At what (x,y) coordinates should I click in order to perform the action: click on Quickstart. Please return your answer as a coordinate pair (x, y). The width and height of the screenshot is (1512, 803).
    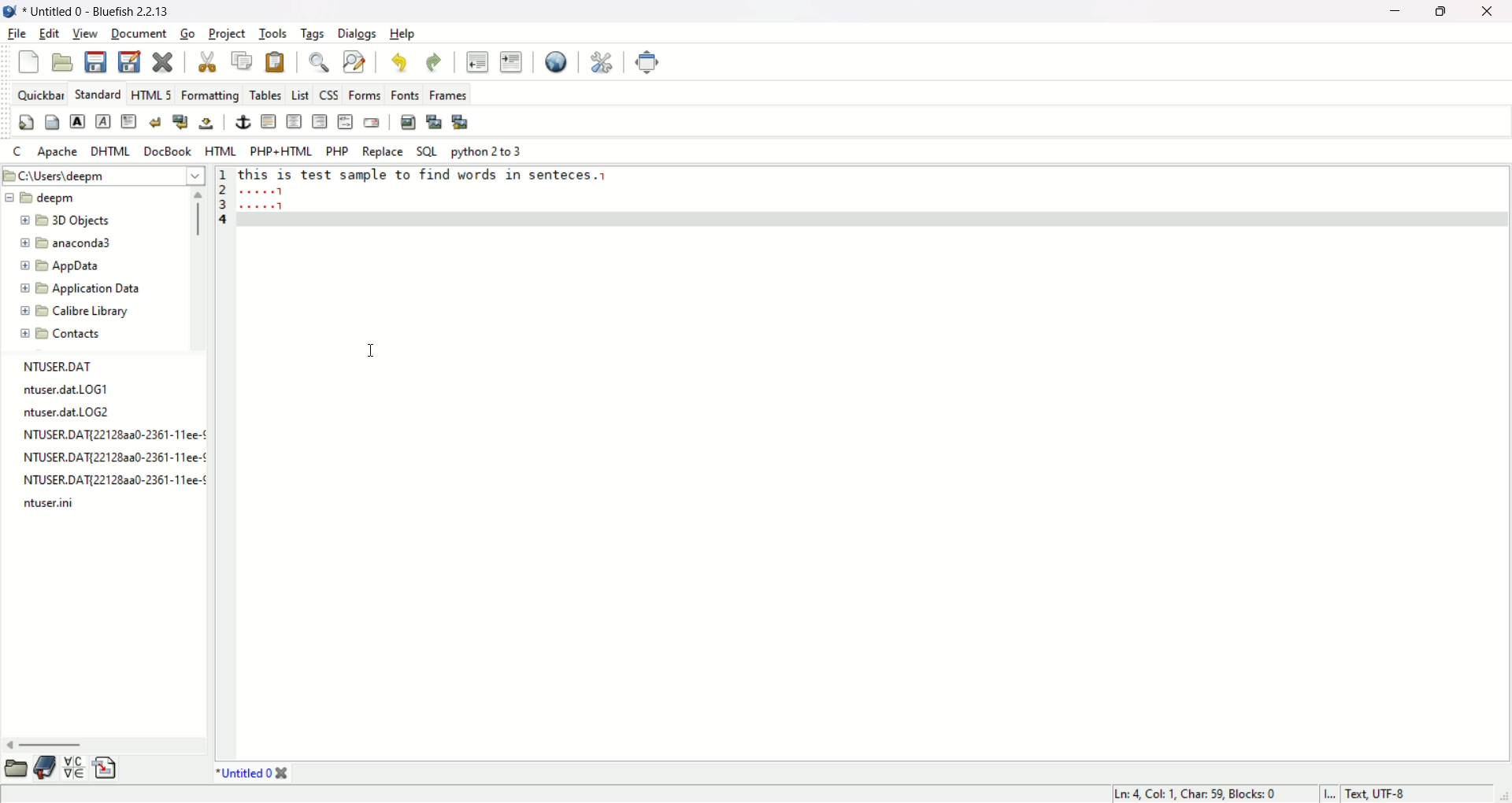
    Looking at the image, I should click on (25, 122).